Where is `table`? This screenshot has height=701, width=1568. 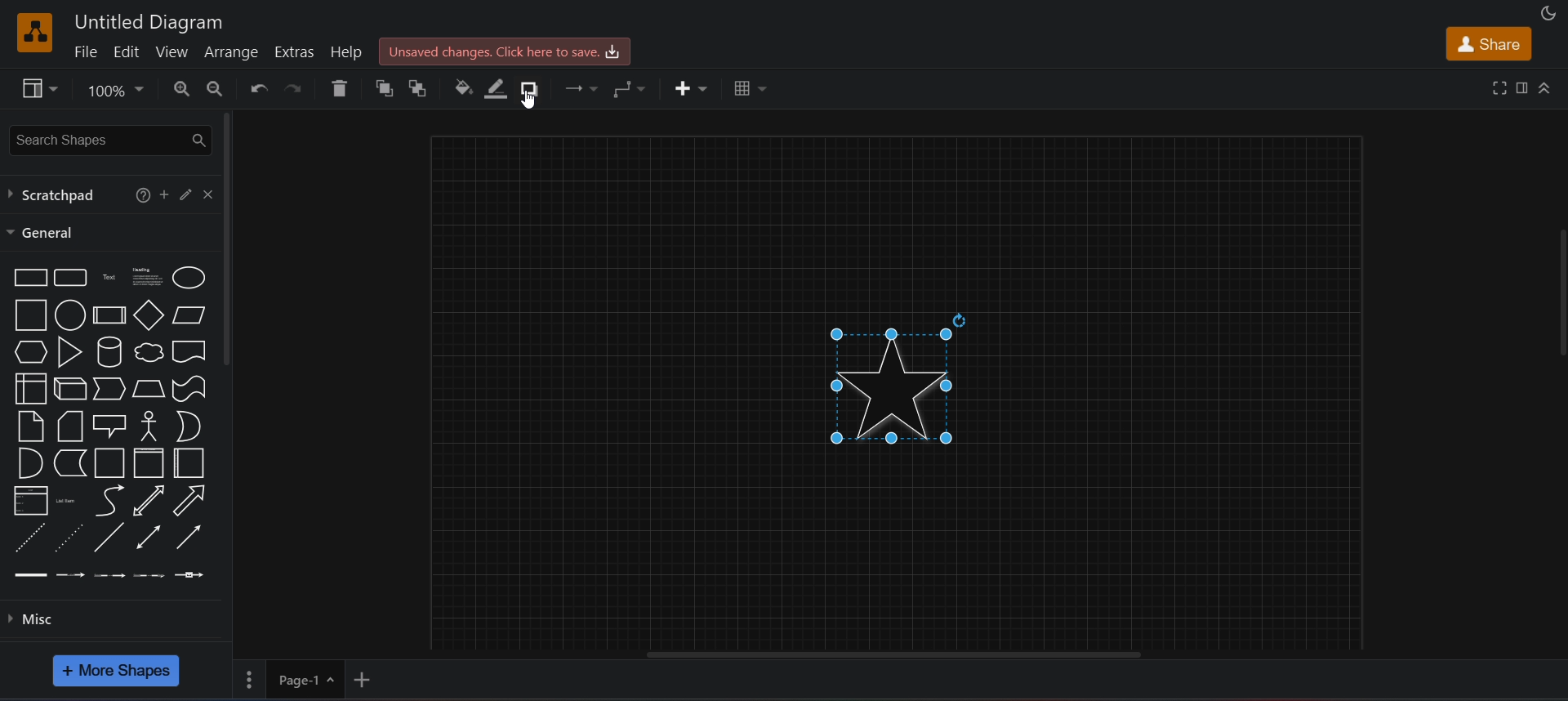 table is located at coordinates (747, 90).